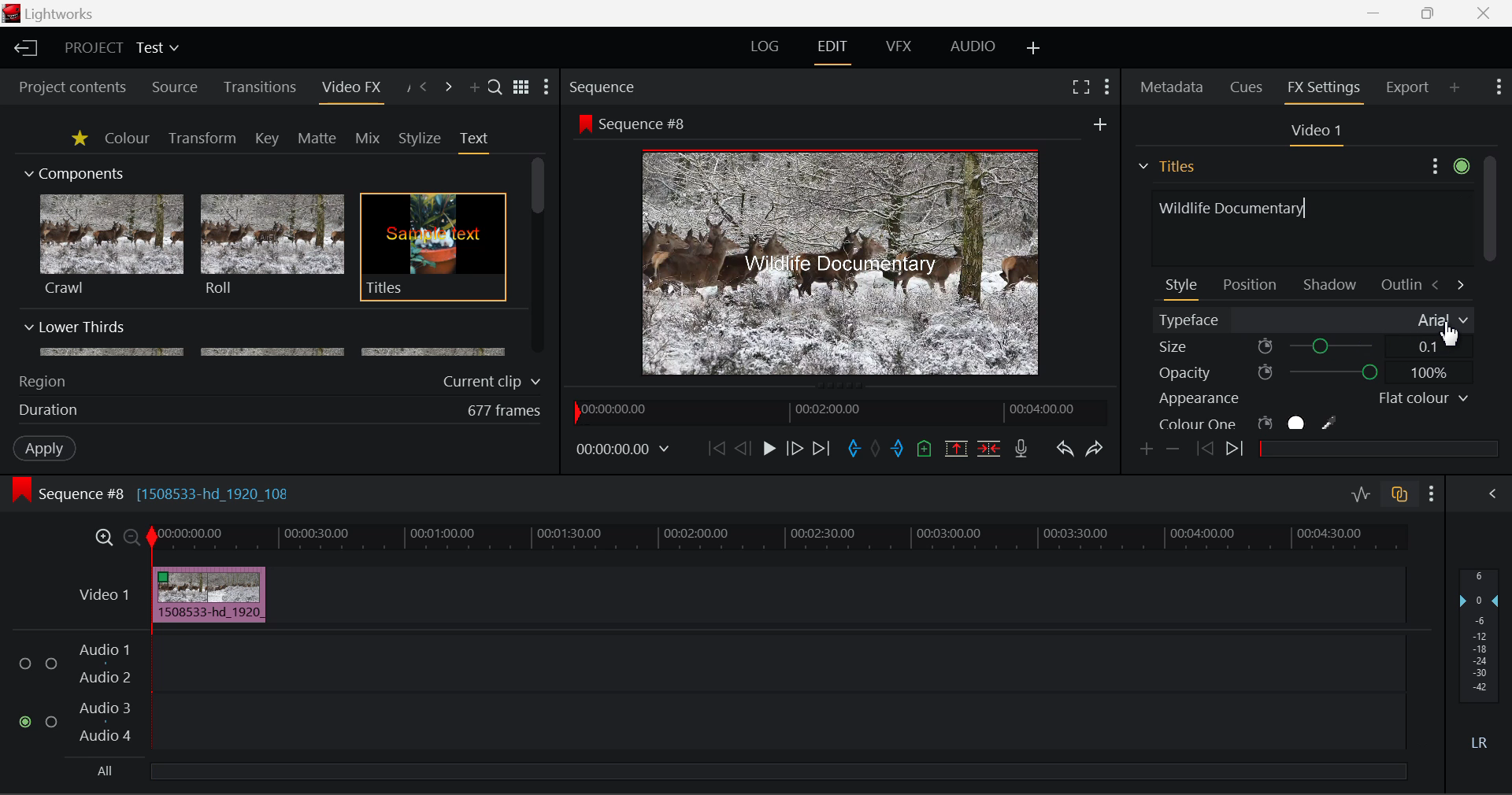 This screenshot has height=795, width=1512. What do you see at coordinates (478, 142) in the screenshot?
I see `Text Tab Open` at bounding box center [478, 142].